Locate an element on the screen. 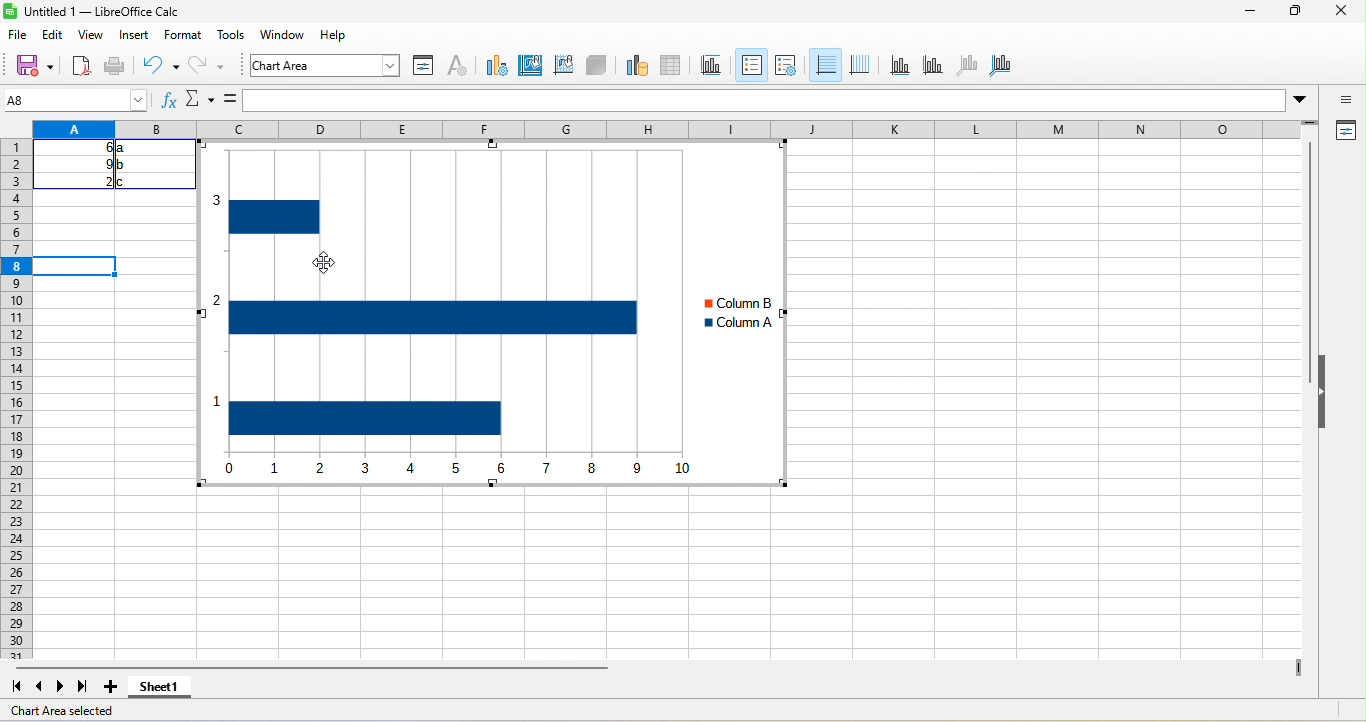 The height and width of the screenshot is (722, 1366). styles is located at coordinates (228, 36).